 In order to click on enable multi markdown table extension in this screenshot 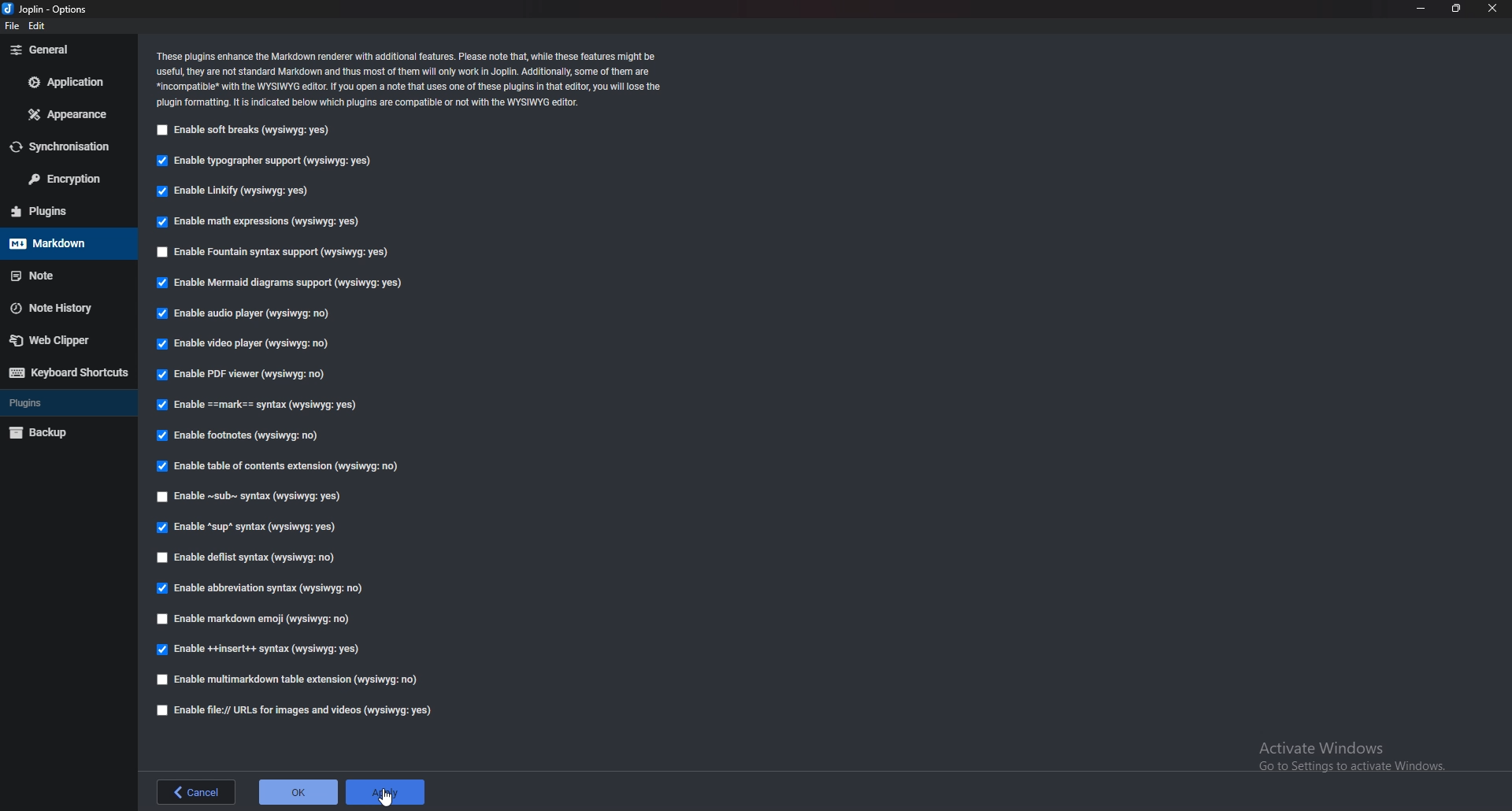, I will do `click(295, 679)`.